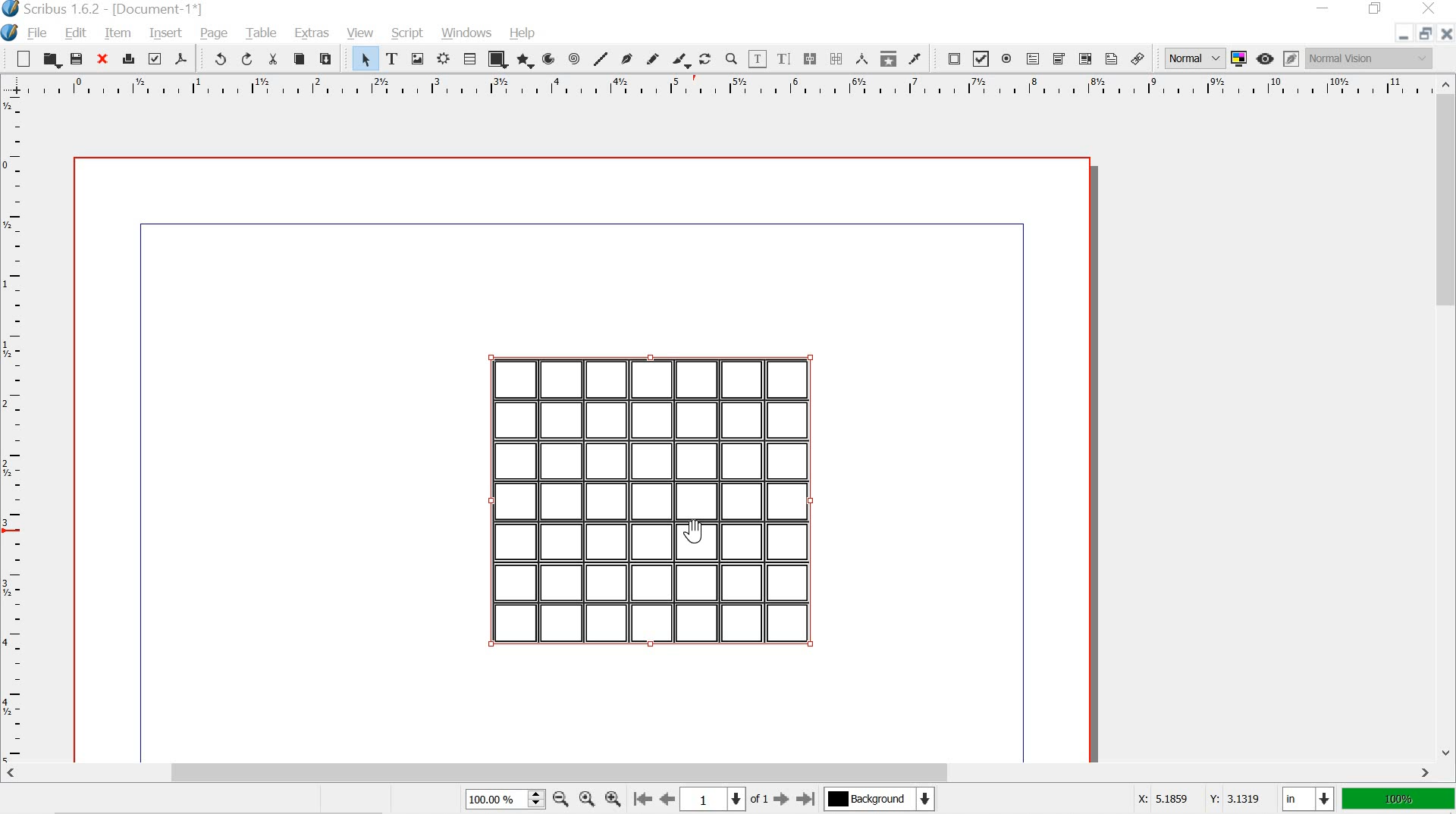 Image resolution: width=1456 pixels, height=814 pixels. What do you see at coordinates (182, 58) in the screenshot?
I see `save as pdf` at bounding box center [182, 58].